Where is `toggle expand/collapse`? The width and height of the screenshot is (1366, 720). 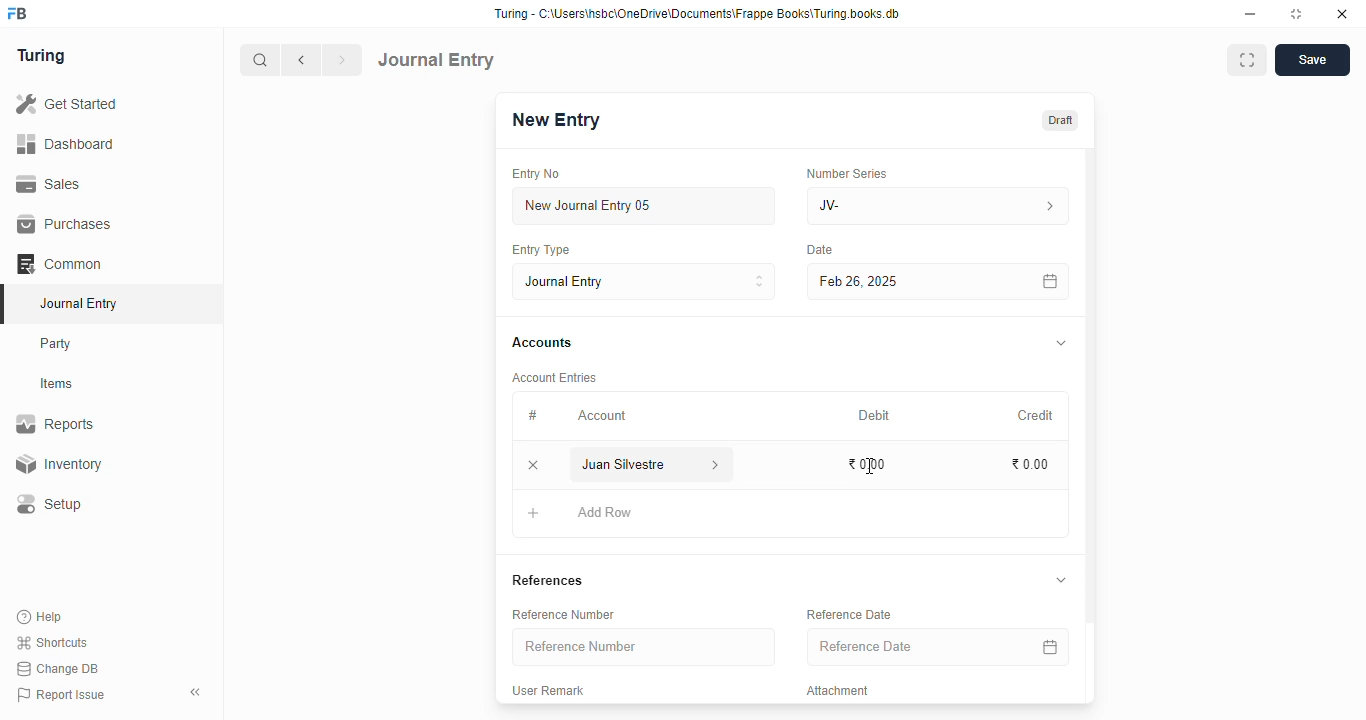 toggle expand/collapse is located at coordinates (1061, 580).